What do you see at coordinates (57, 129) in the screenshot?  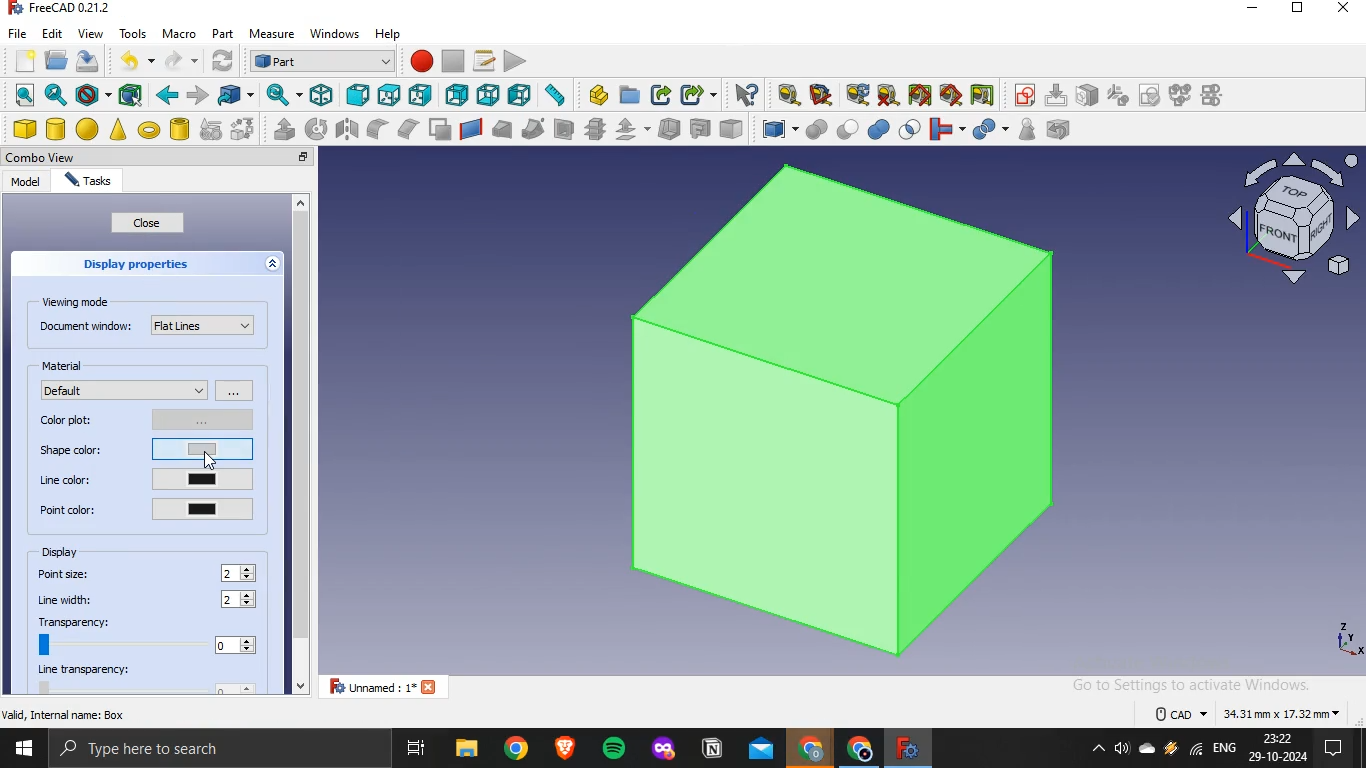 I see `cylinder` at bounding box center [57, 129].